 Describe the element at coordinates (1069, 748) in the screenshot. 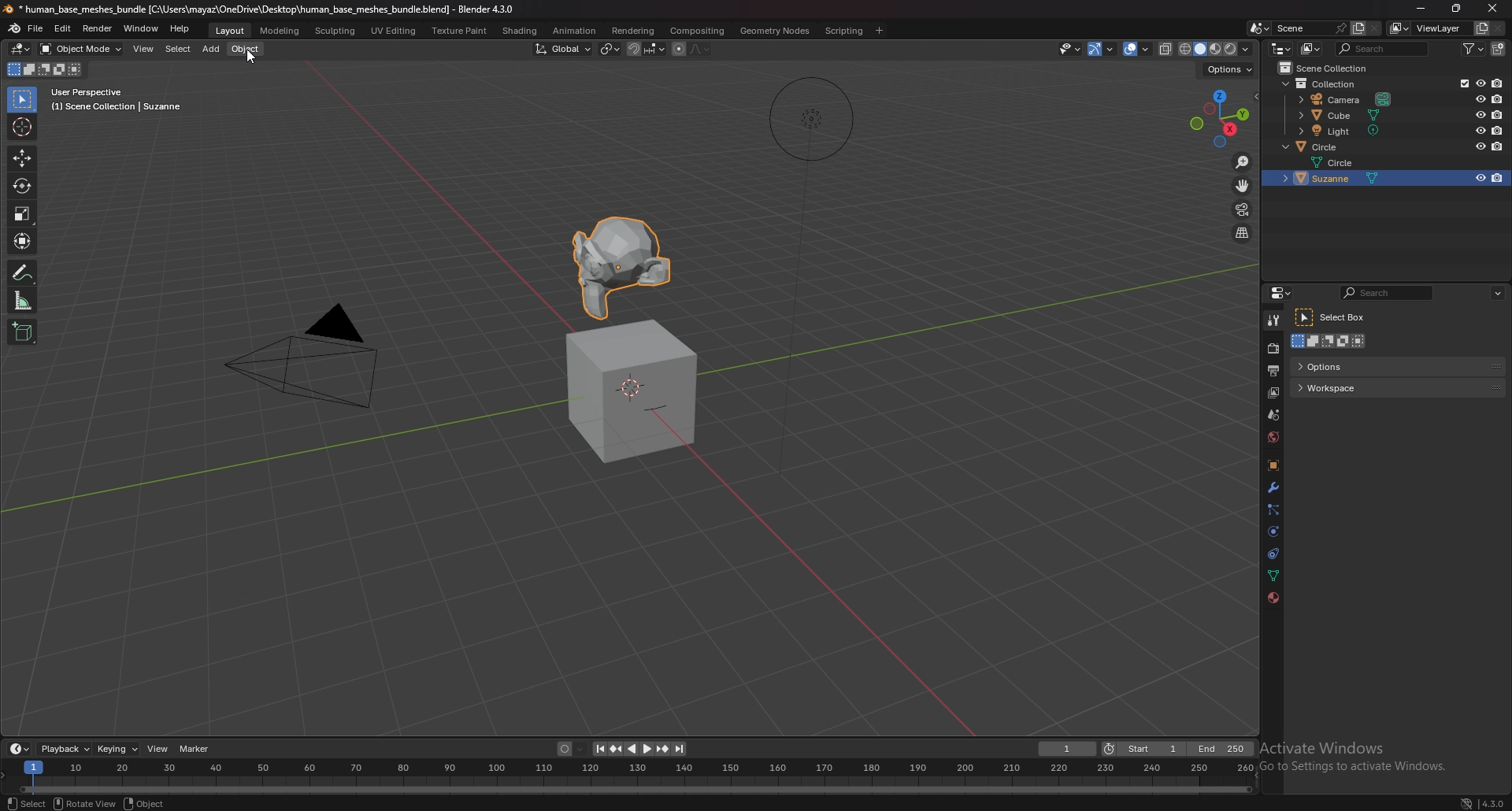

I see `current frame` at that location.